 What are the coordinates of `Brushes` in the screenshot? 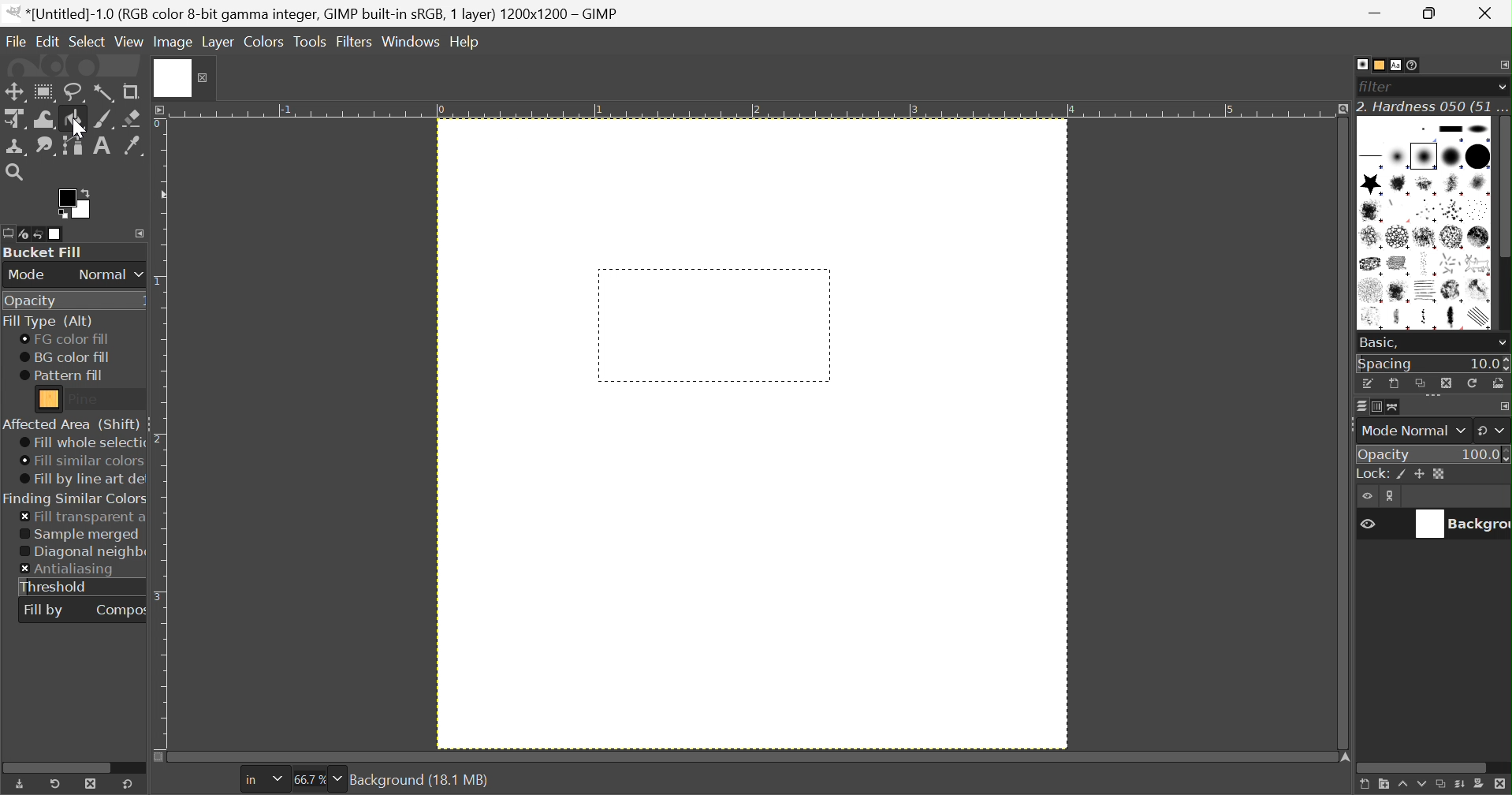 It's located at (1361, 64).